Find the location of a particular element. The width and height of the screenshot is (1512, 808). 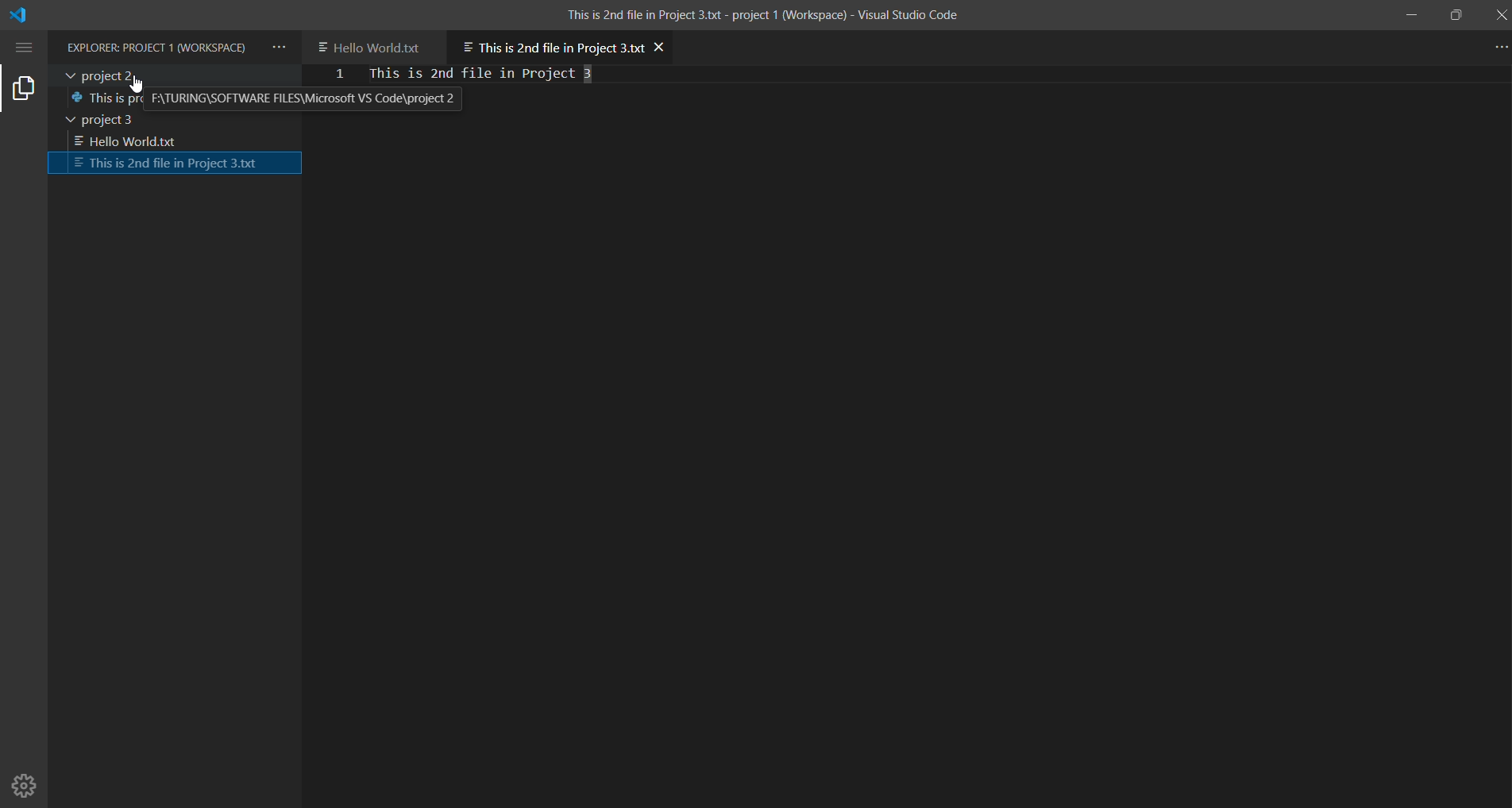

Manage is located at coordinates (26, 779).